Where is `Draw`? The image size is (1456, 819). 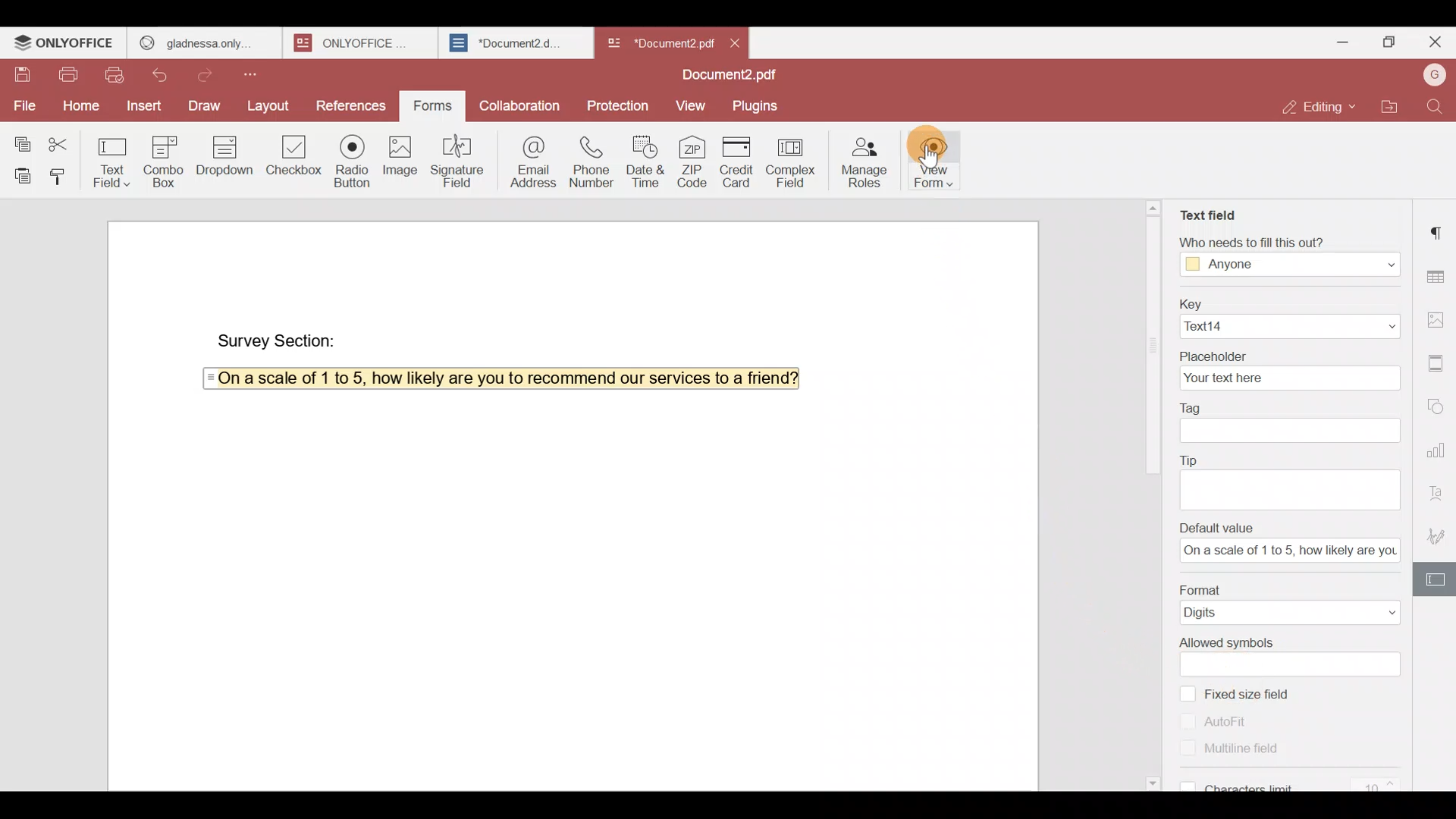
Draw is located at coordinates (204, 105).